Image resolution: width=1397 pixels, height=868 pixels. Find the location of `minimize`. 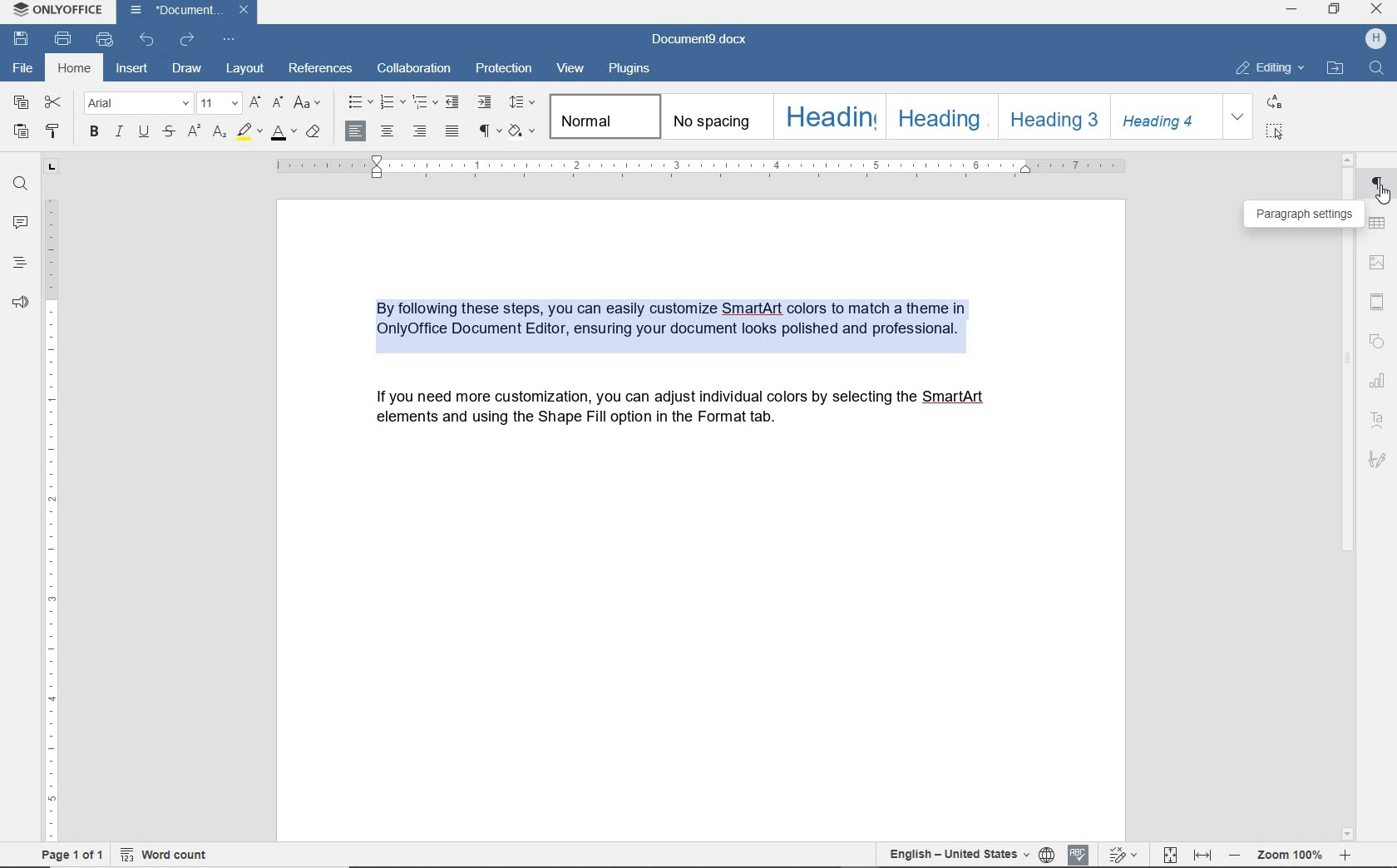

minimize is located at coordinates (1293, 8).